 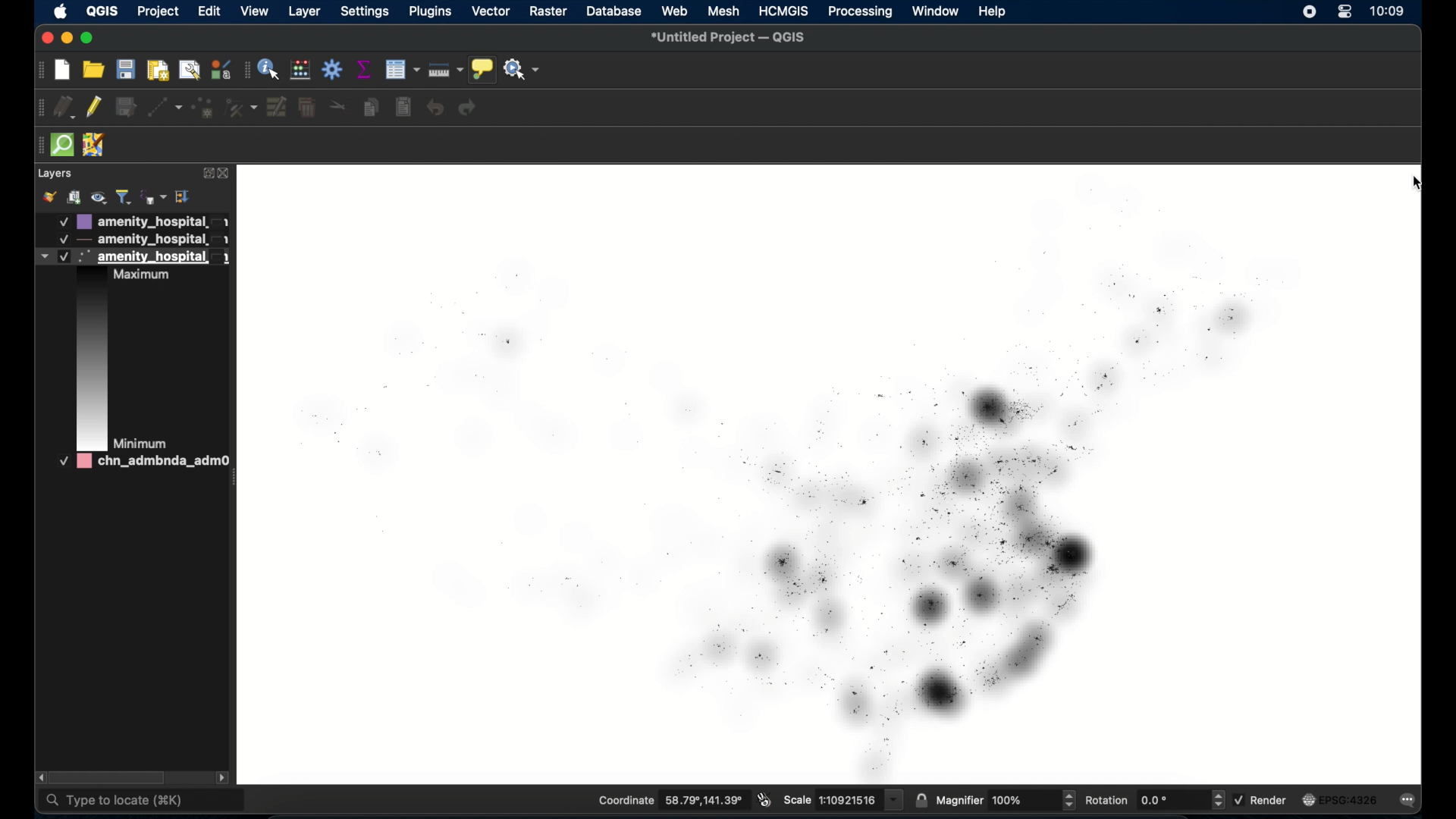 I want to click on type to locate, so click(x=143, y=800).